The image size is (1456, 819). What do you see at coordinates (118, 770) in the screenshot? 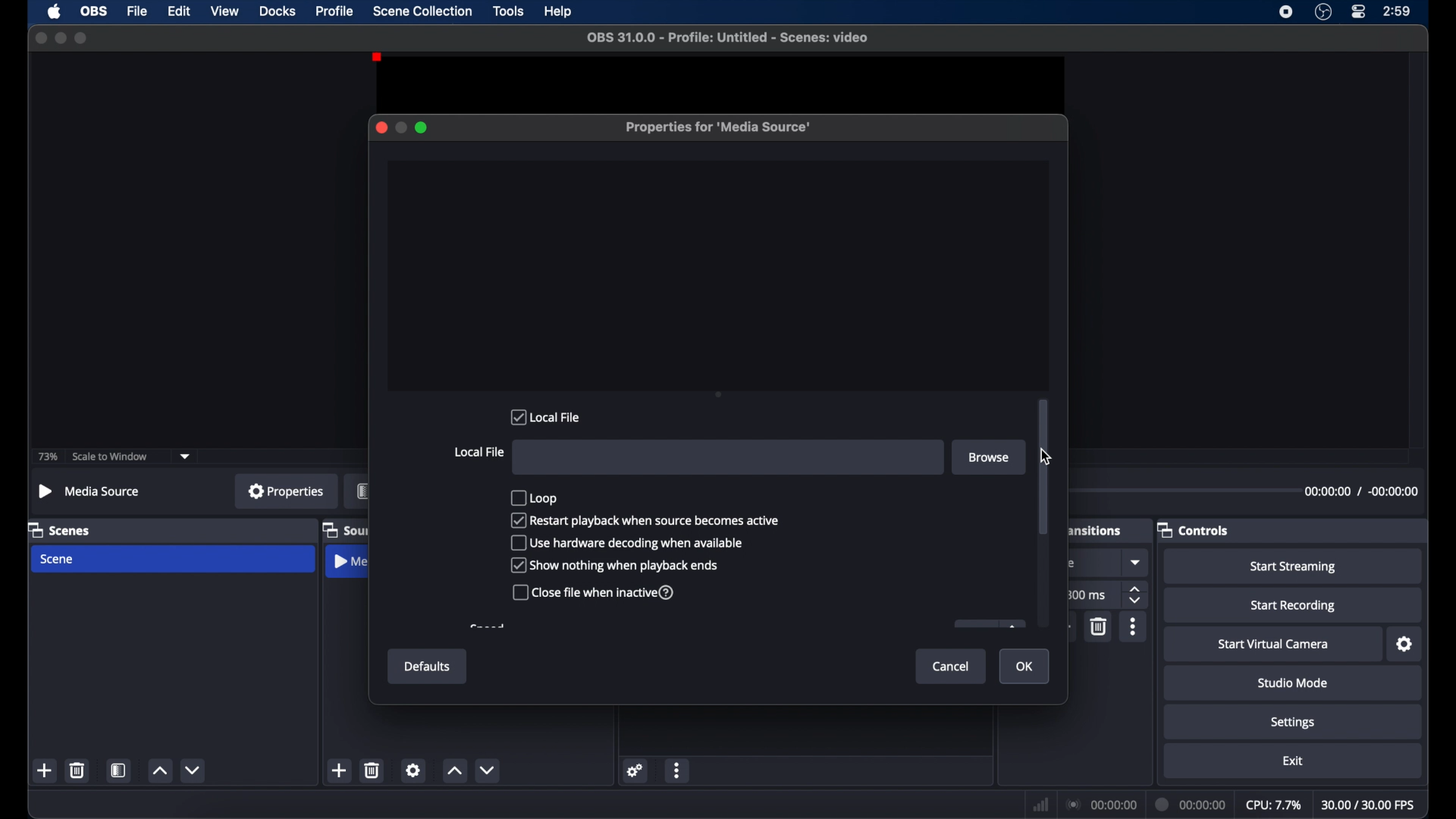
I see `scene filters` at bounding box center [118, 770].